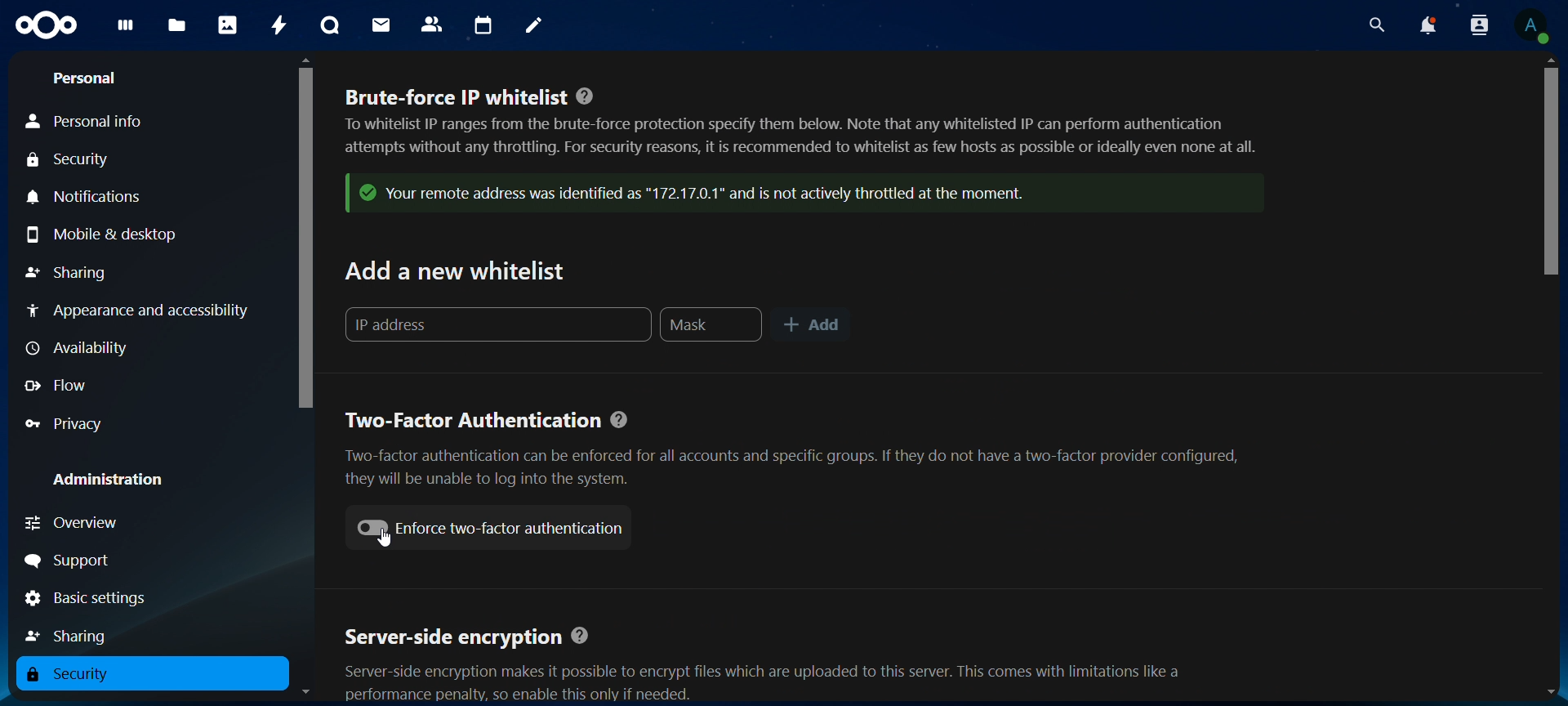  Describe the element at coordinates (483, 27) in the screenshot. I see `calendar` at that location.